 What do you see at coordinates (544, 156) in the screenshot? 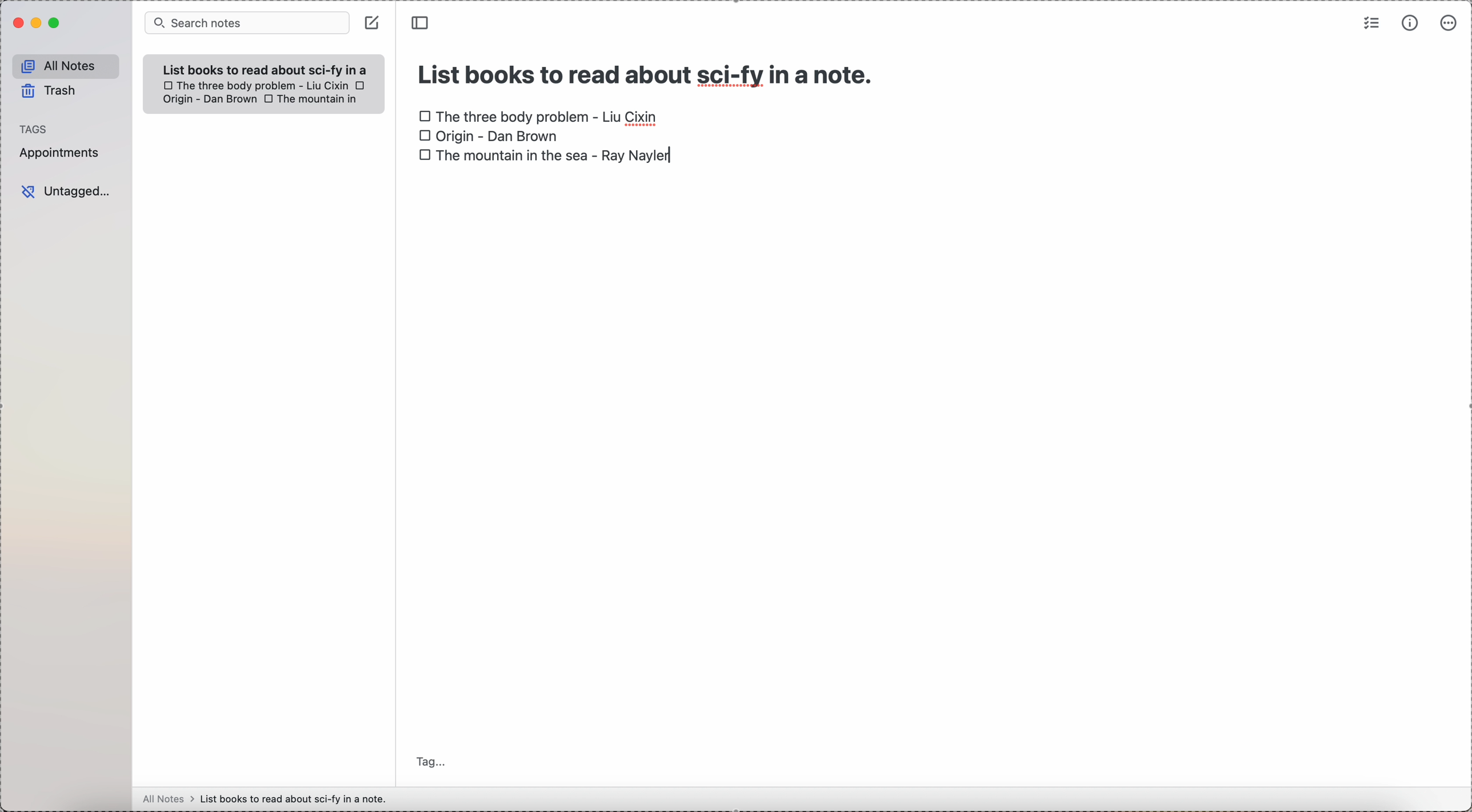
I see `checkbox The mountain in the sea` at bounding box center [544, 156].